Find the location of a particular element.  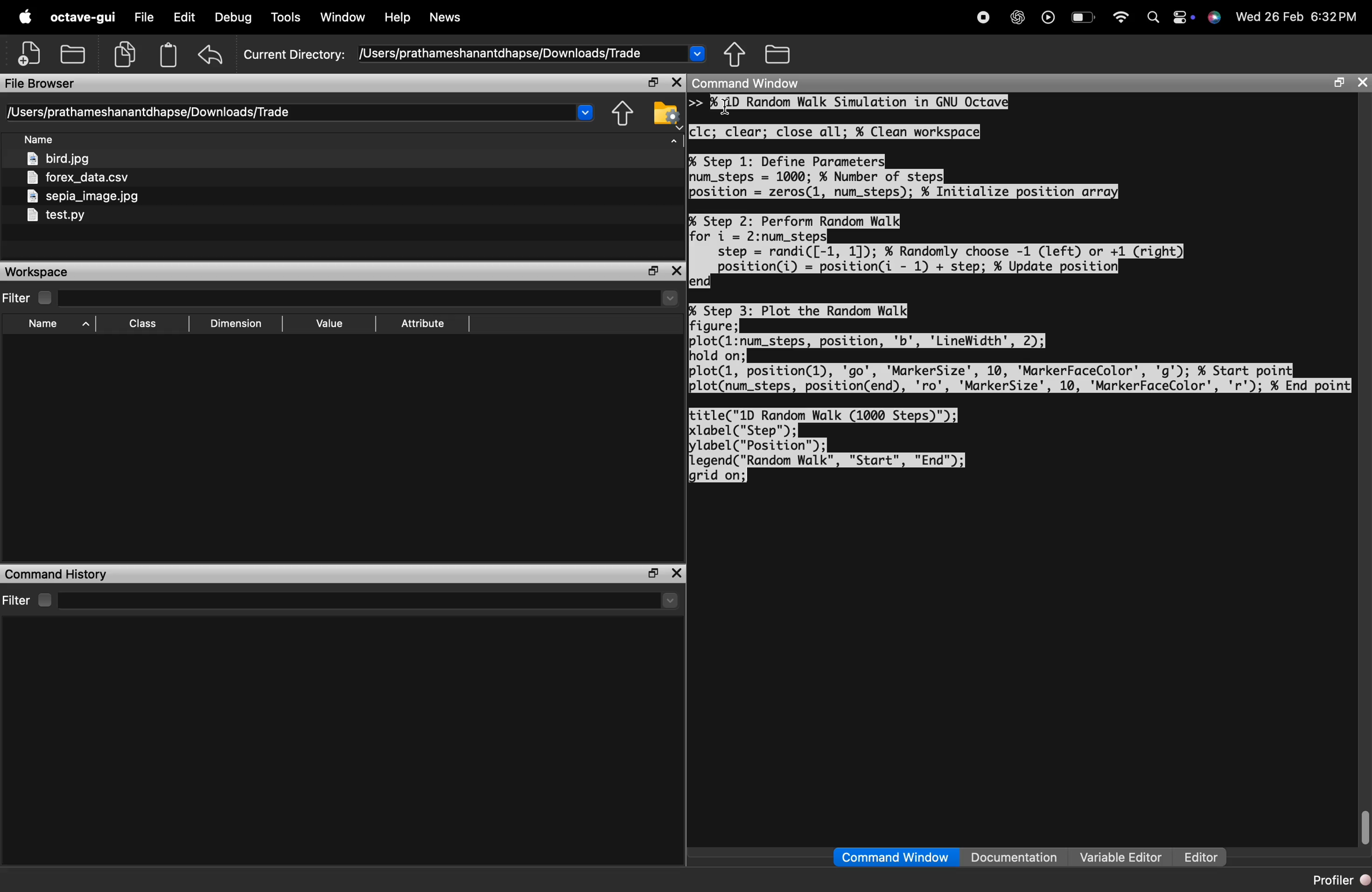

debug is located at coordinates (234, 18).